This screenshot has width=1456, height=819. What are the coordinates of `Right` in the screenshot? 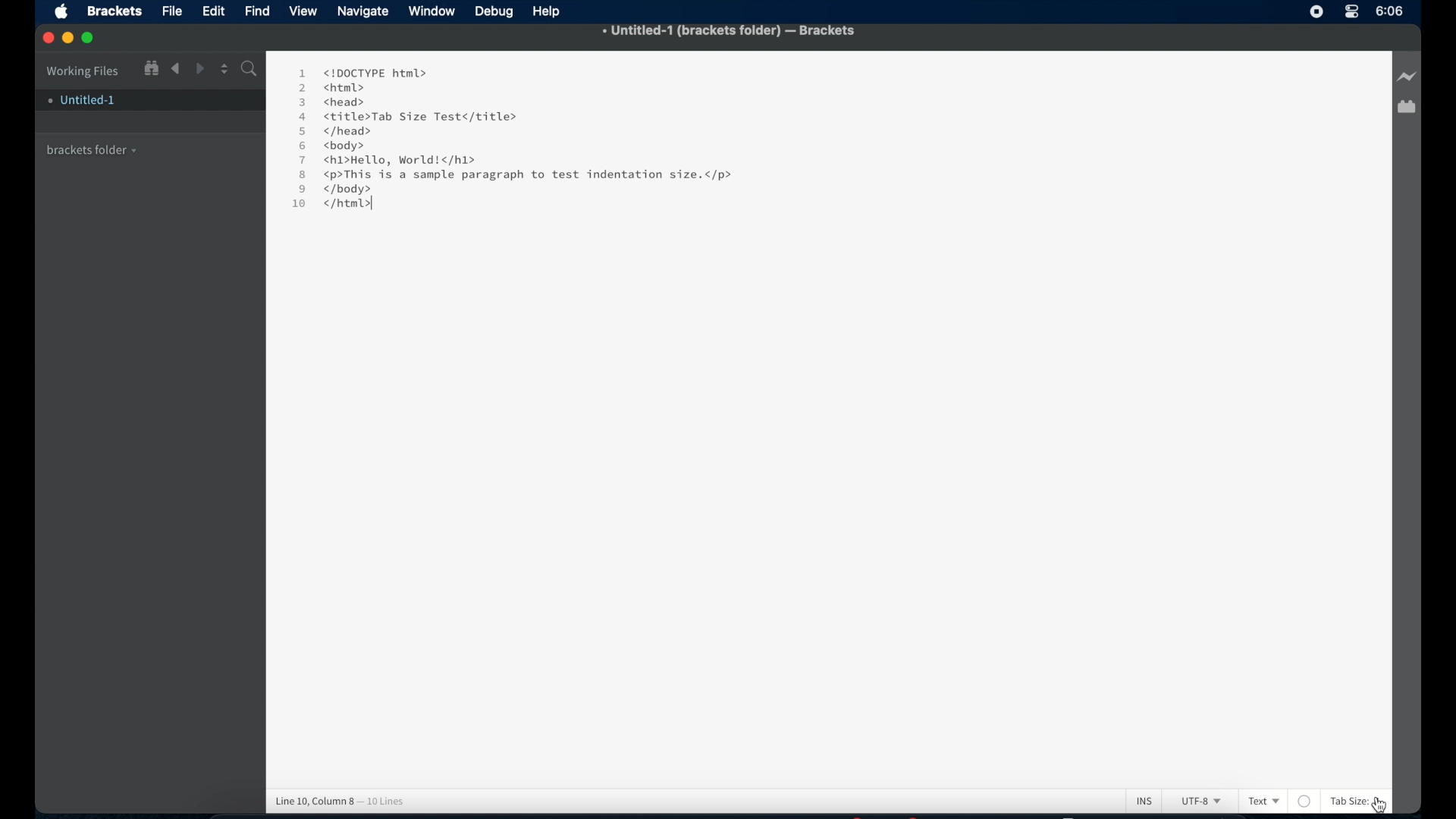 It's located at (201, 68).